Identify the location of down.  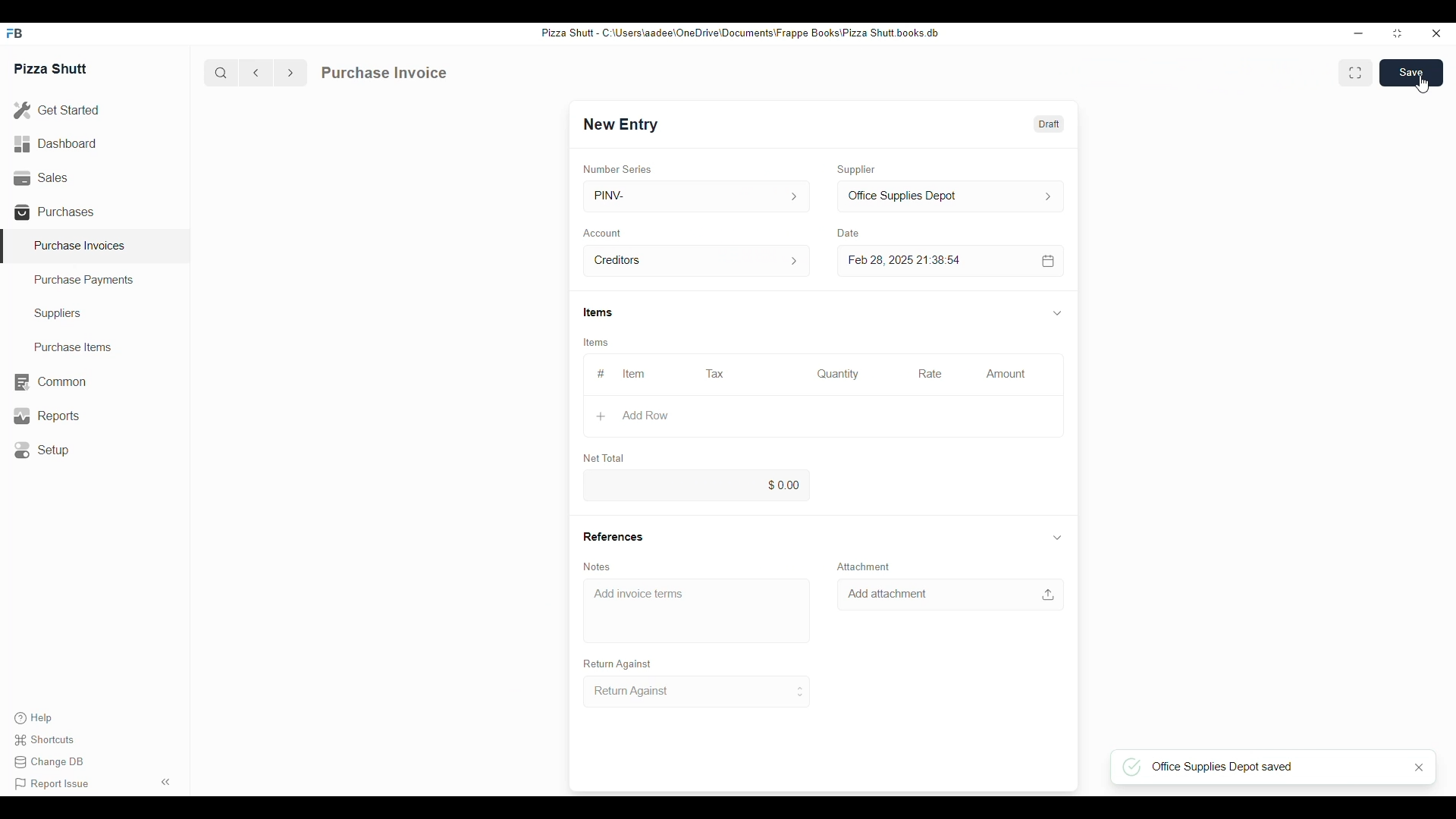
(1056, 538).